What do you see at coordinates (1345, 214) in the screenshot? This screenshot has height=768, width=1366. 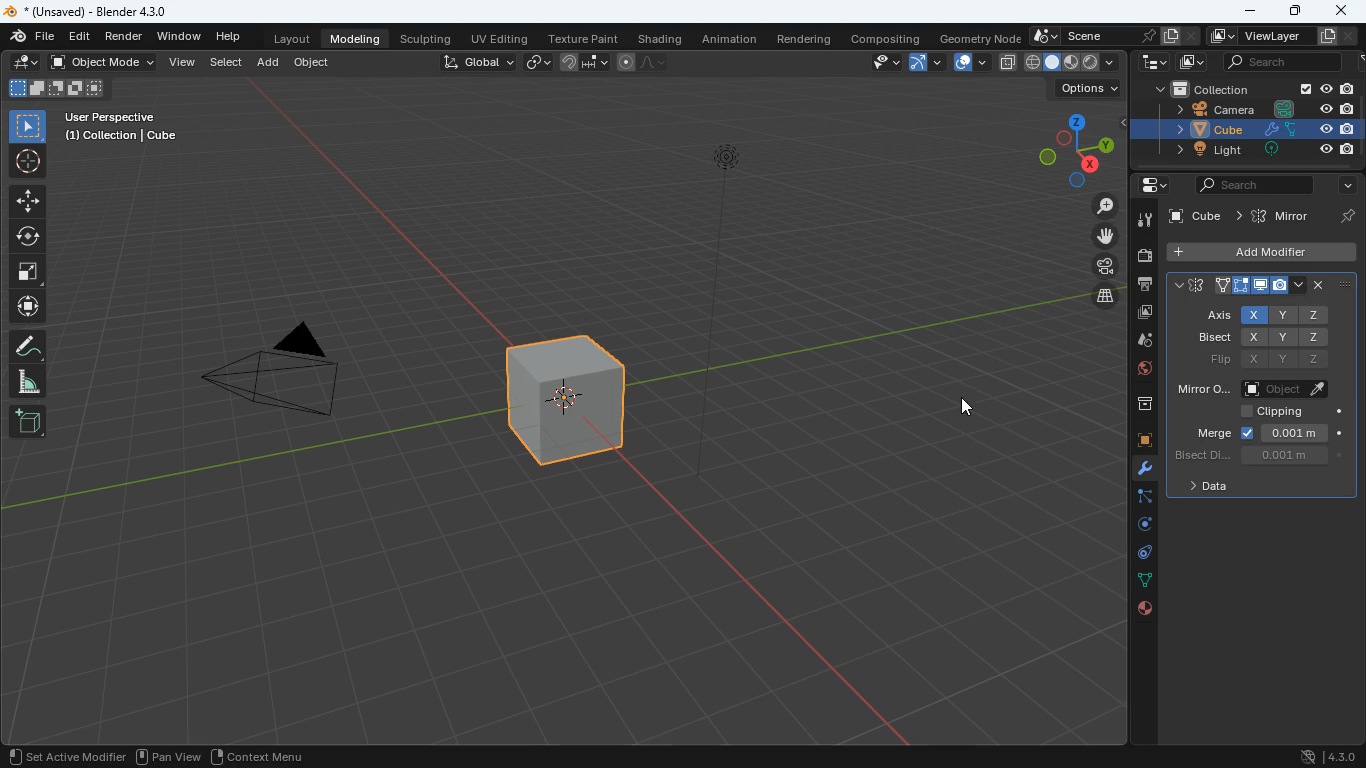 I see `` at bounding box center [1345, 214].